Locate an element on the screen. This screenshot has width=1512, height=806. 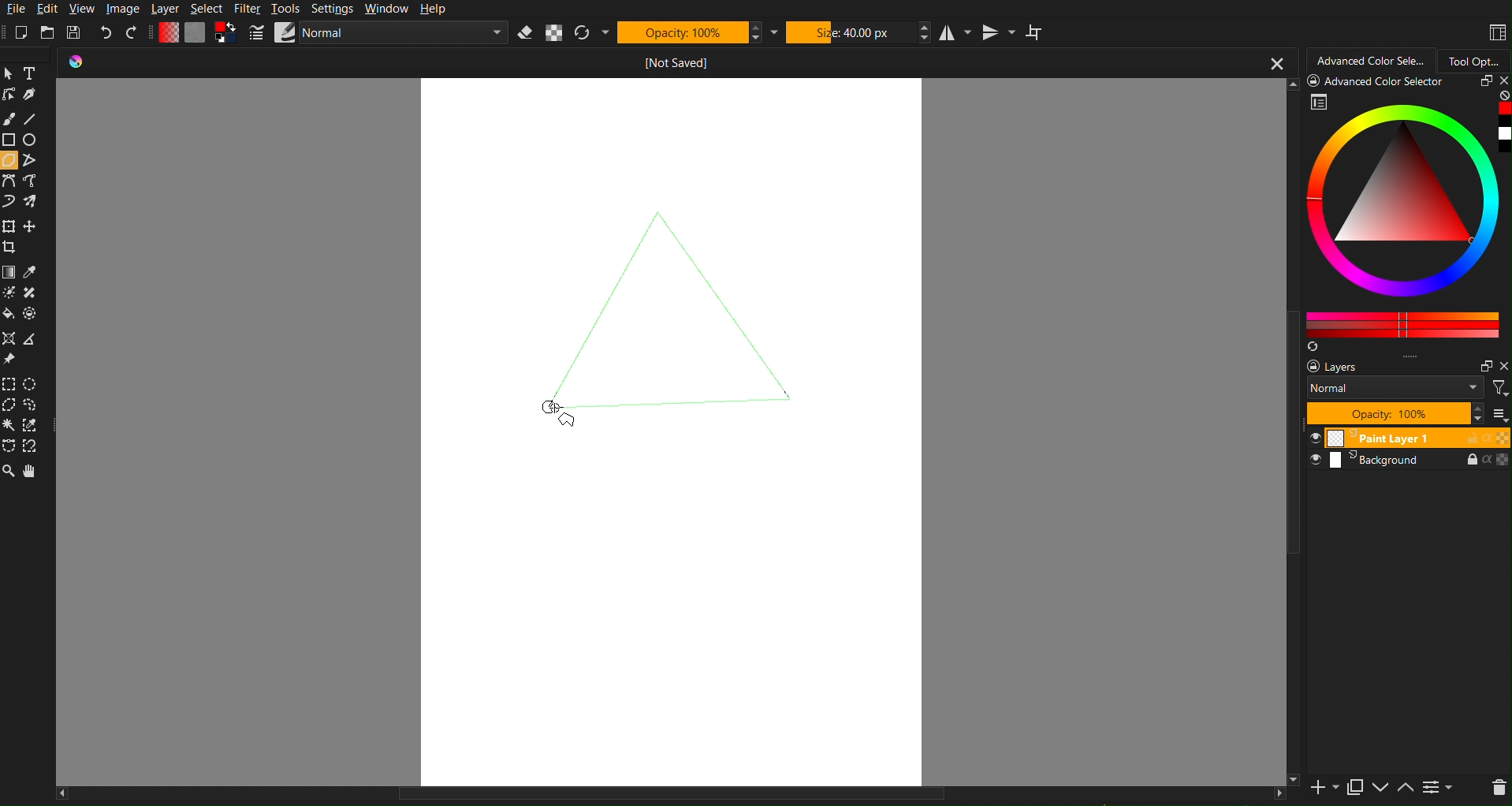
New is located at coordinates (21, 32).